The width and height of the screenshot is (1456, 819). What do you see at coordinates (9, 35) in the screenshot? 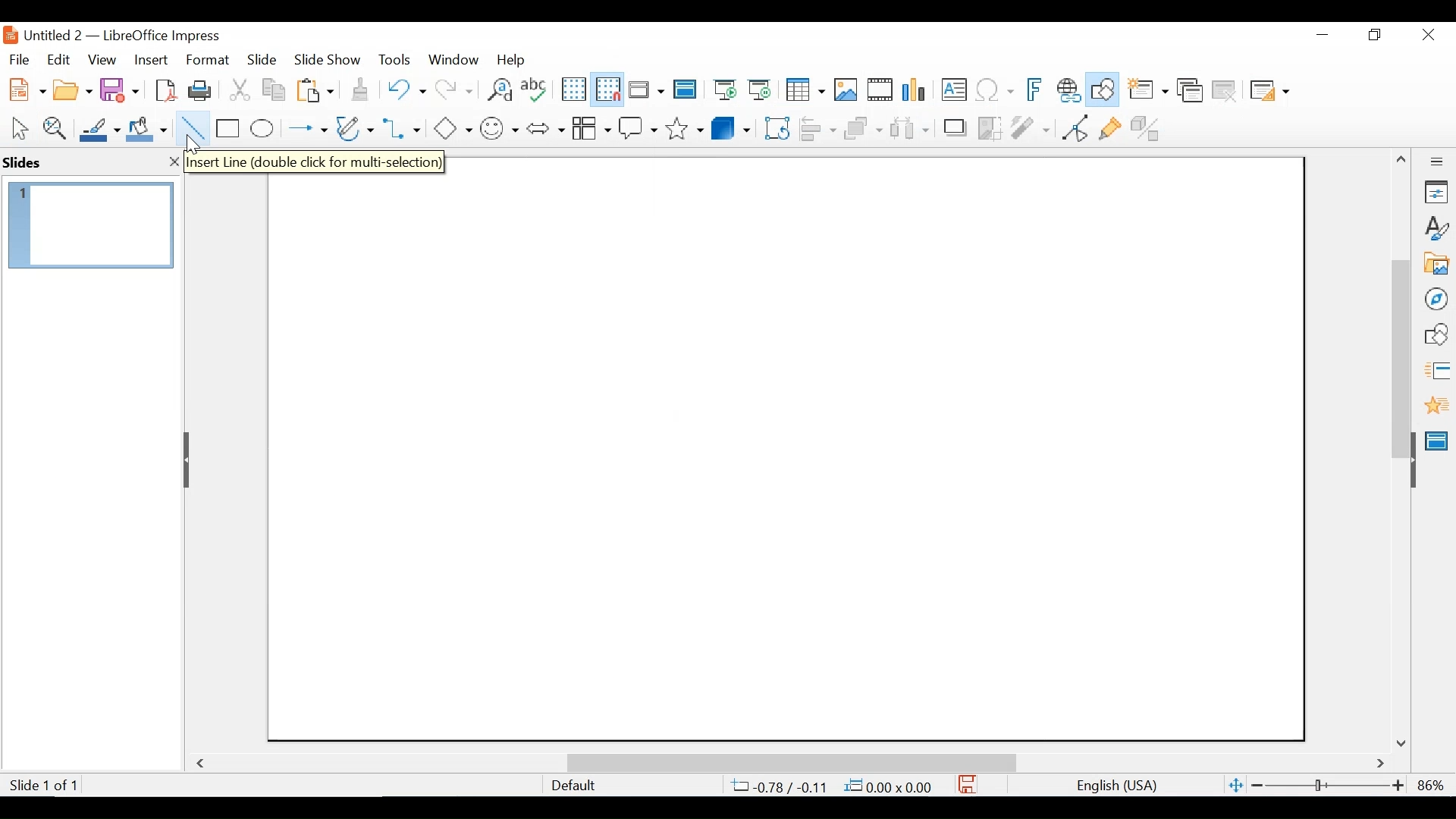
I see `LibreOffice Desktop Icon` at bounding box center [9, 35].